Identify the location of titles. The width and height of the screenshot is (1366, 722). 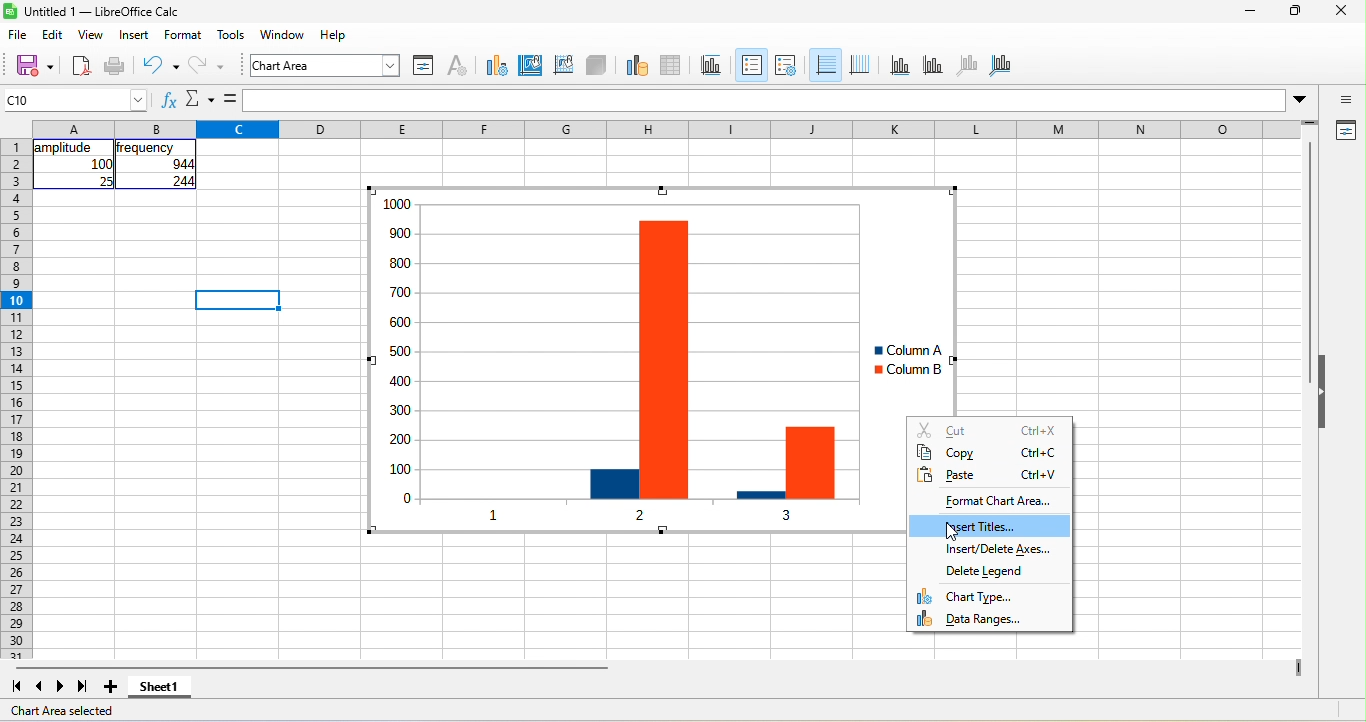
(712, 66).